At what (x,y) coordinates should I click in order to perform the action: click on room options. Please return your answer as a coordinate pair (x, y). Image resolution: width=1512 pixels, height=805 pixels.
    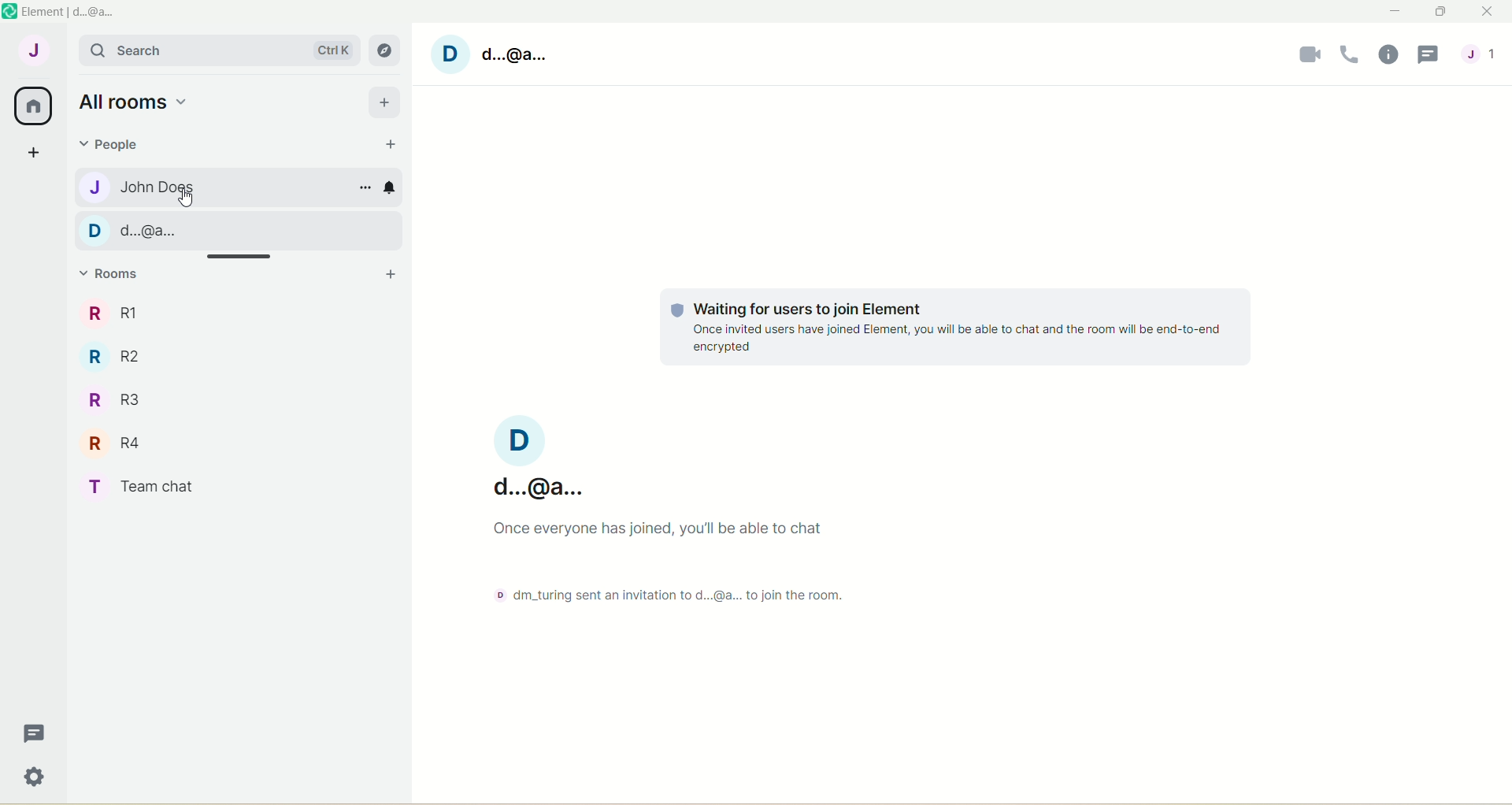
    Looking at the image, I should click on (362, 190).